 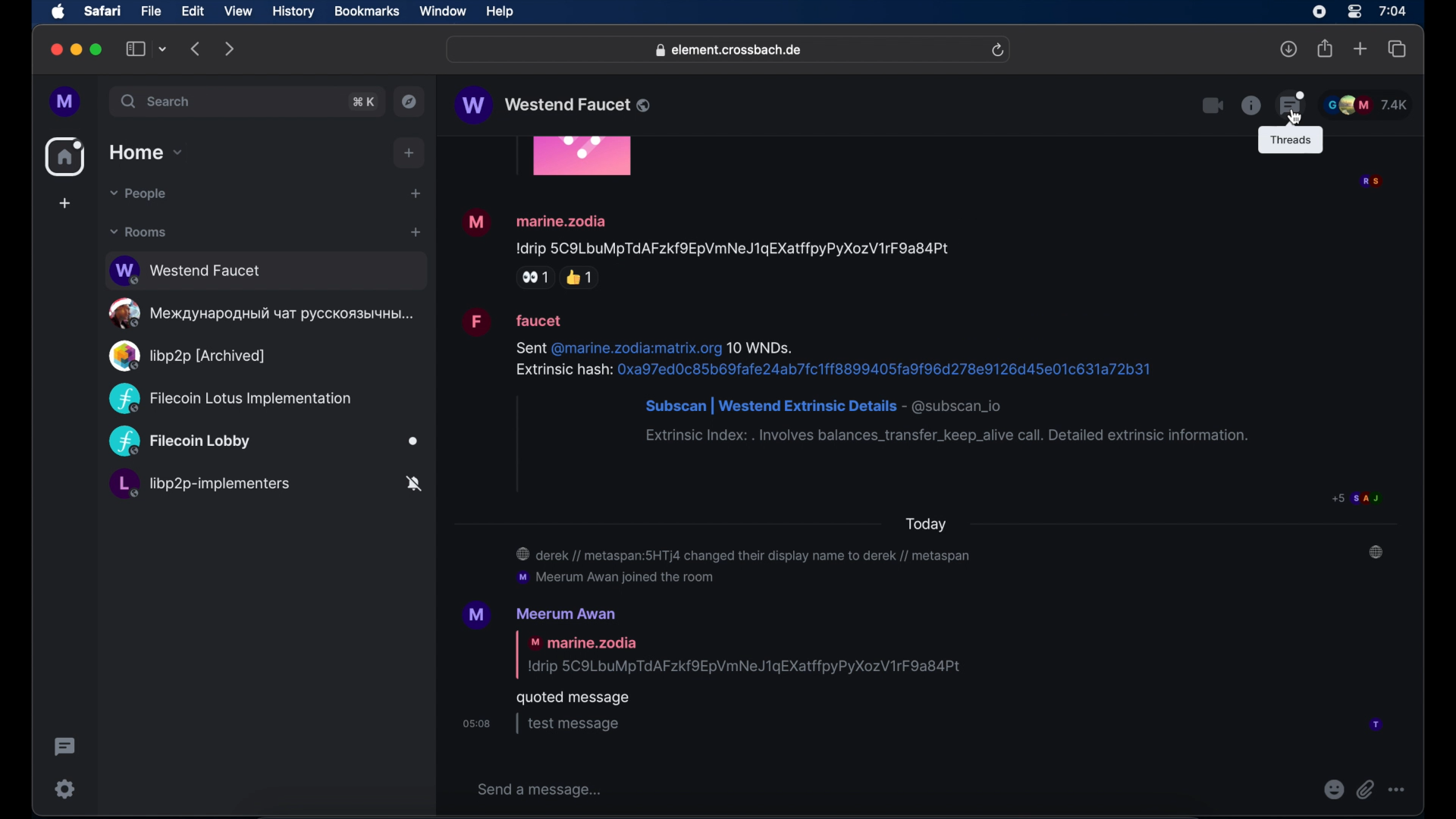 What do you see at coordinates (535, 278) in the screenshot?
I see `side eye reaction` at bounding box center [535, 278].